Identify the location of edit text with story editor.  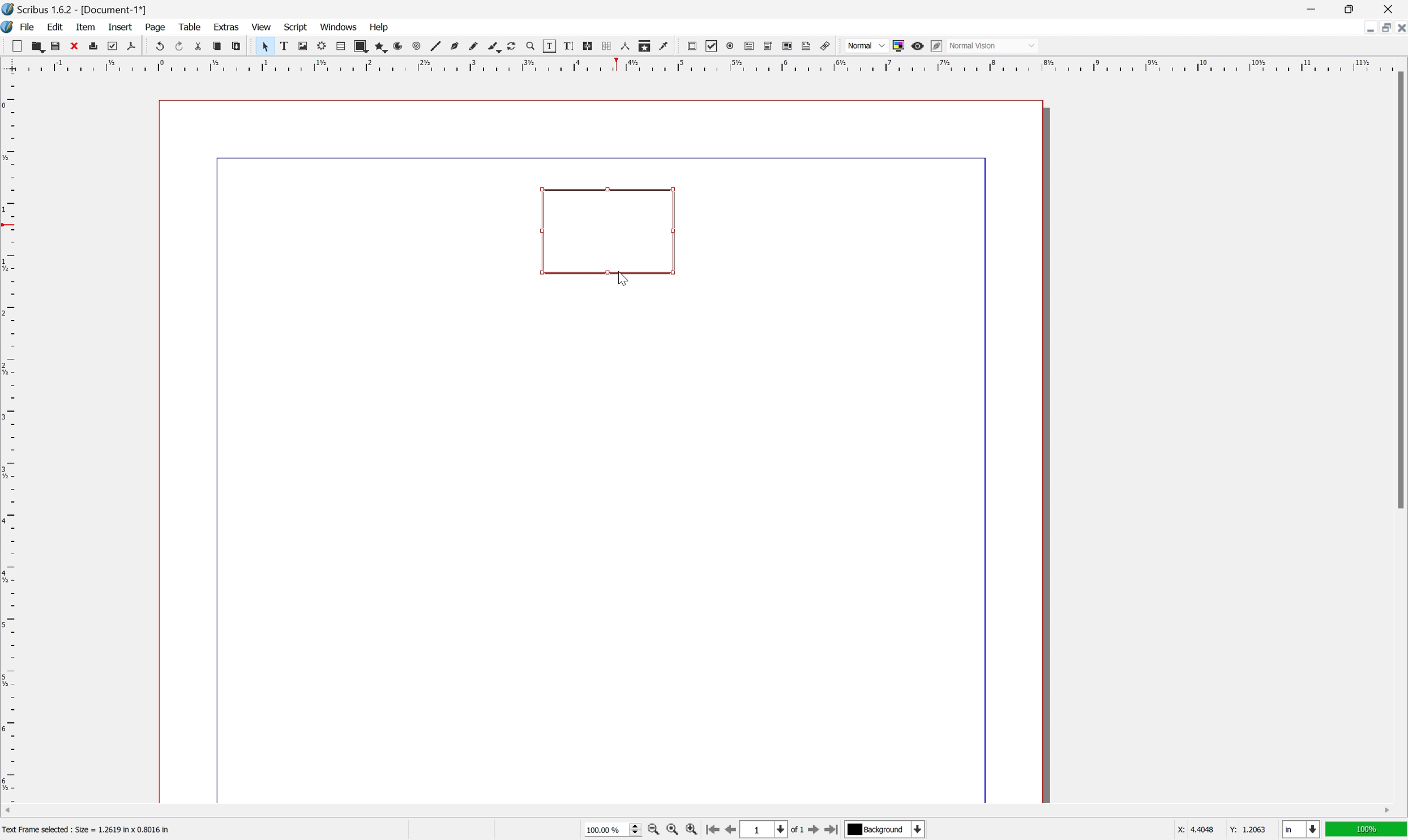
(569, 46).